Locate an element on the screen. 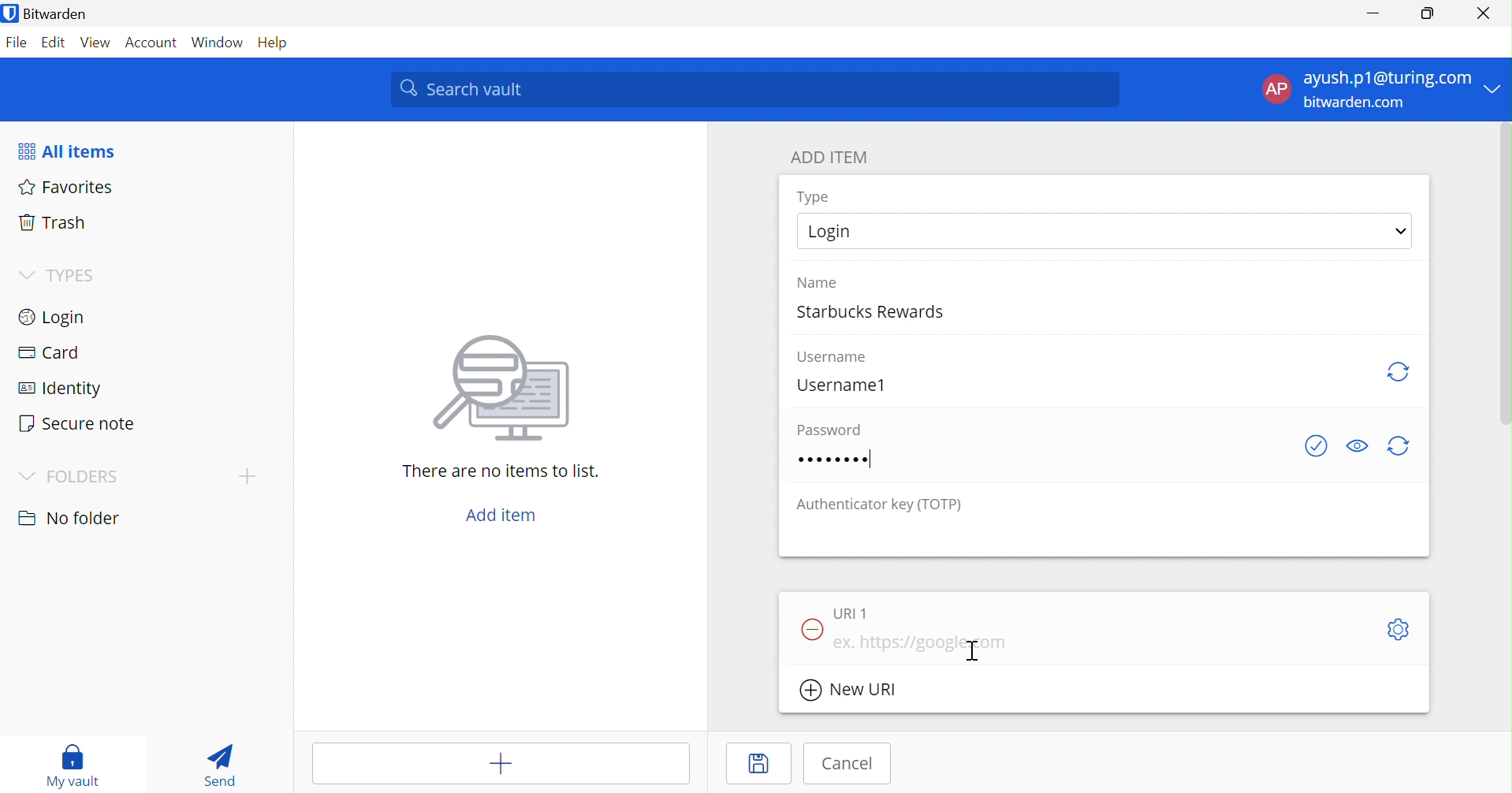 This screenshot has width=1512, height=793. Check if password has been exposed is located at coordinates (1319, 446).